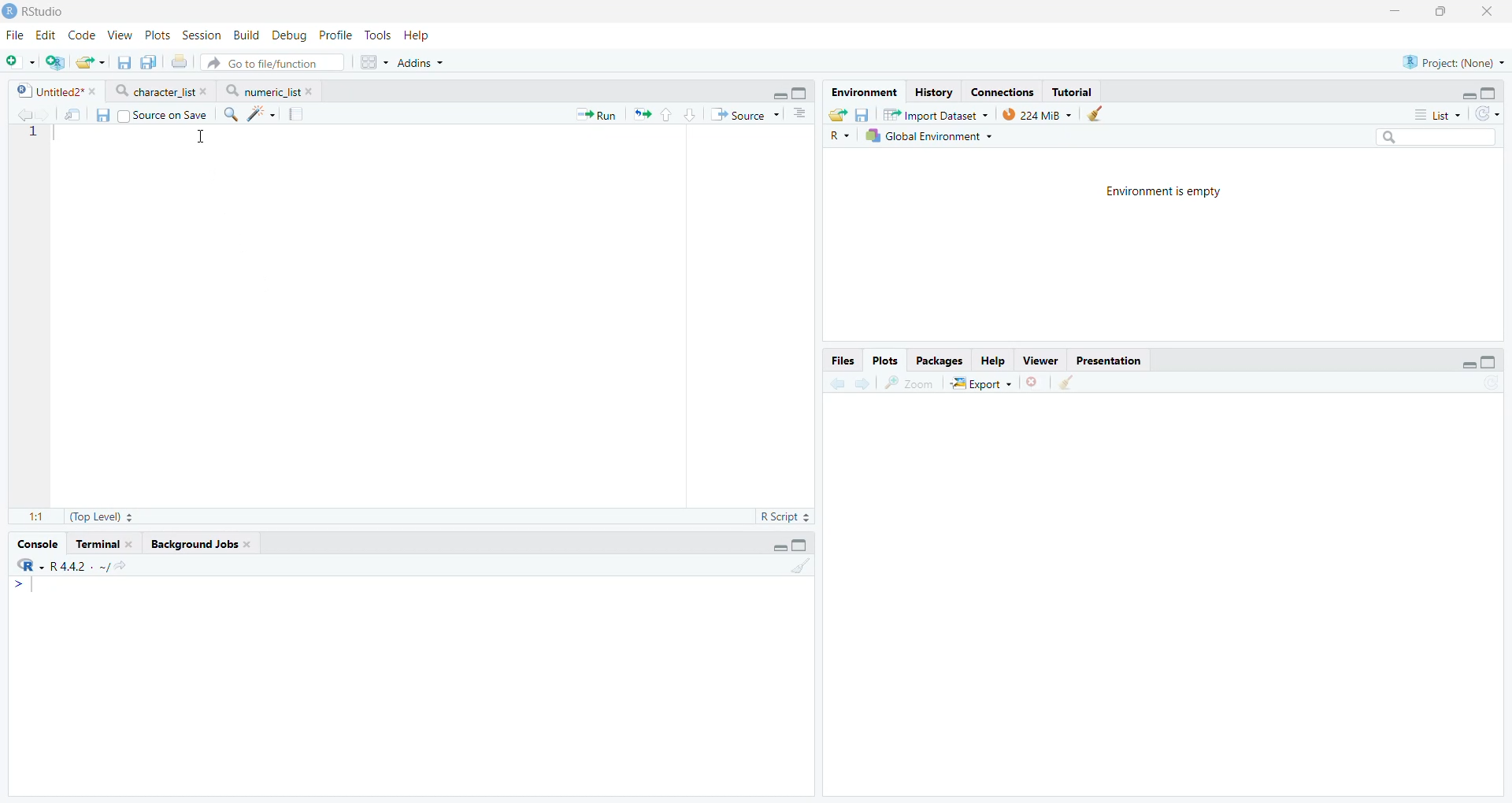 The width and height of the screenshot is (1512, 803). Describe the element at coordinates (20, 62) in the screenshot. I see `Open new file` at that location.